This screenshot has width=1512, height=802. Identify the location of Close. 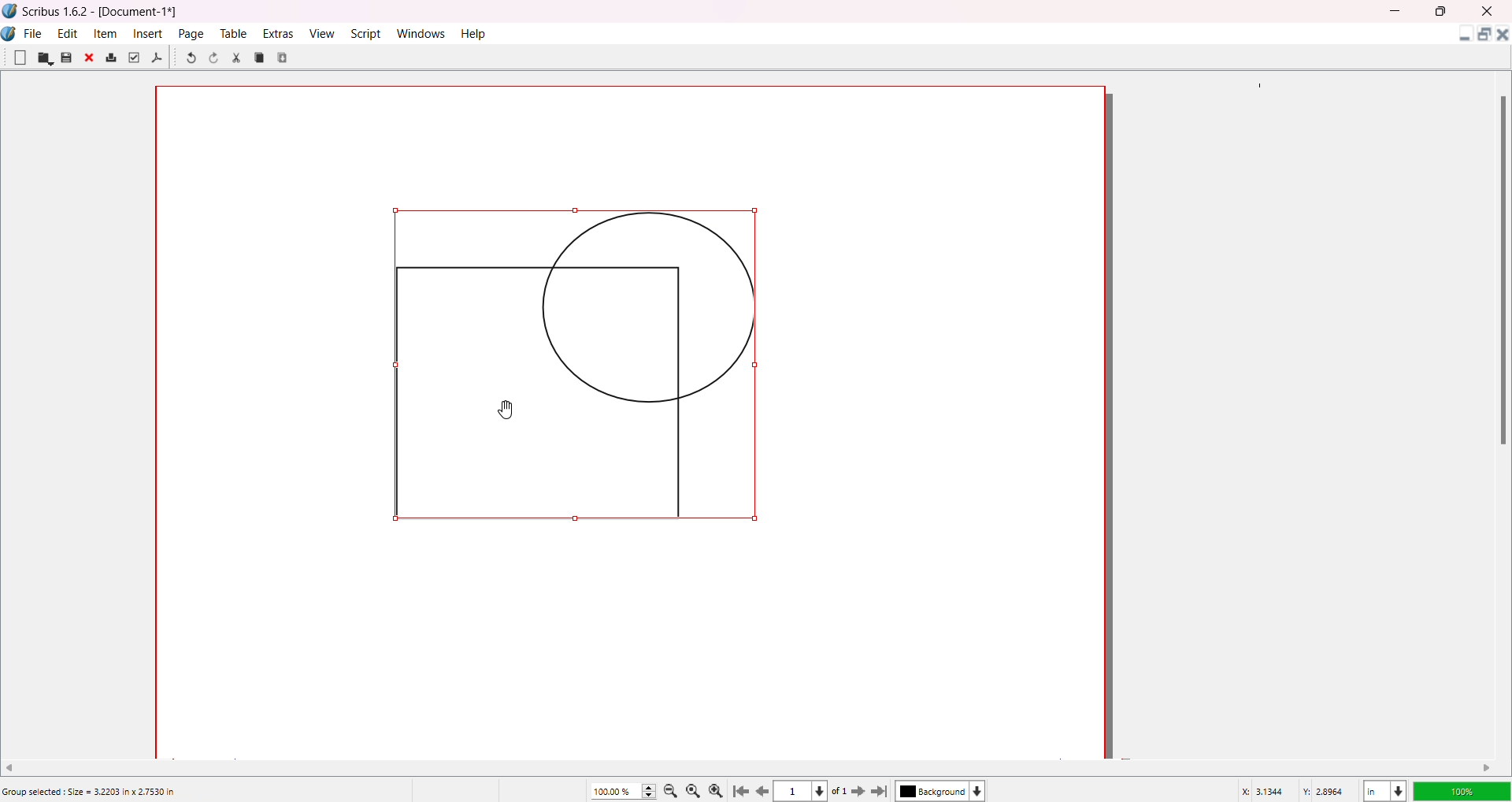
(91, 59).